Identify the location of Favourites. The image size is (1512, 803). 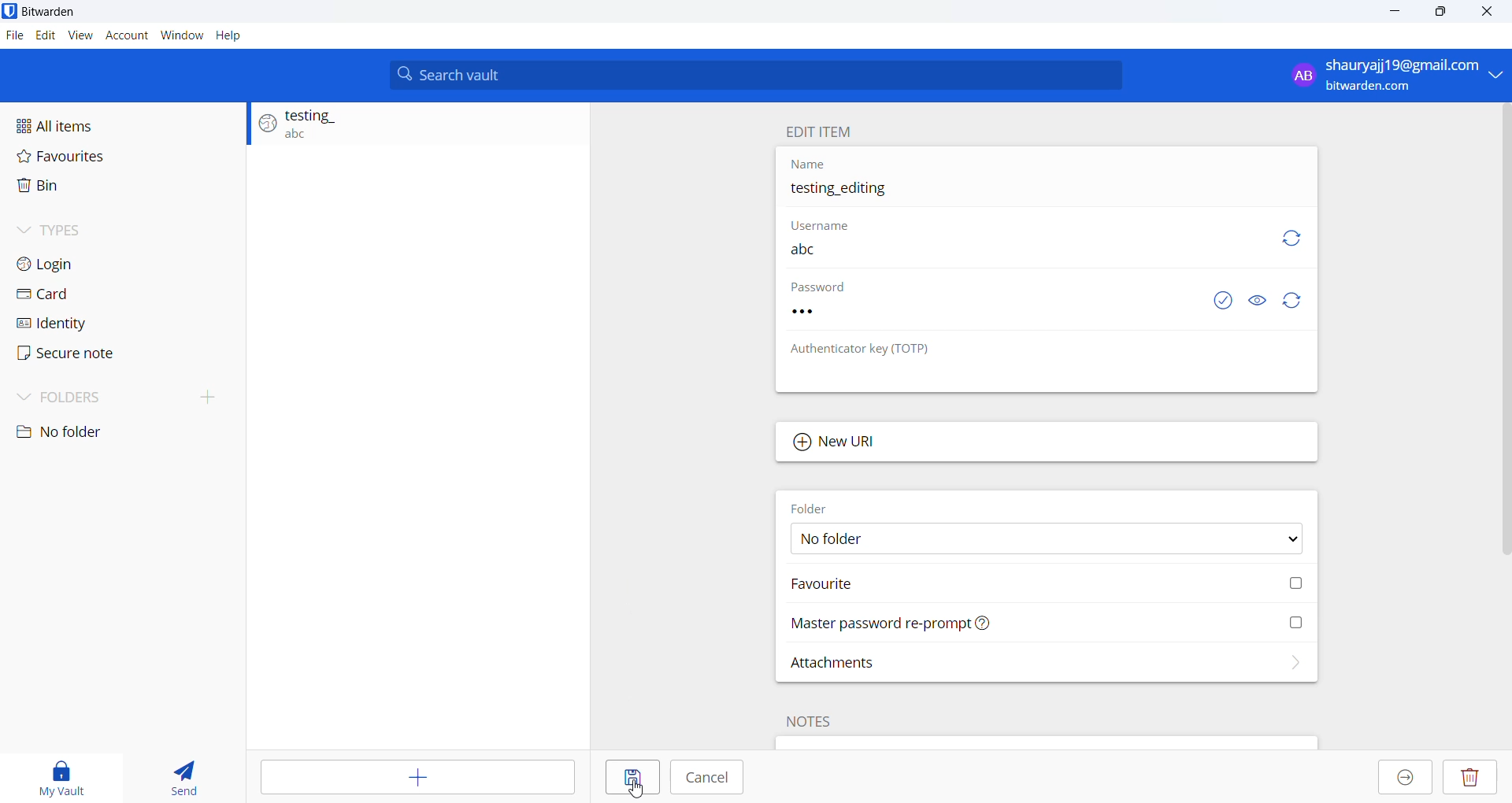
(121, 155).